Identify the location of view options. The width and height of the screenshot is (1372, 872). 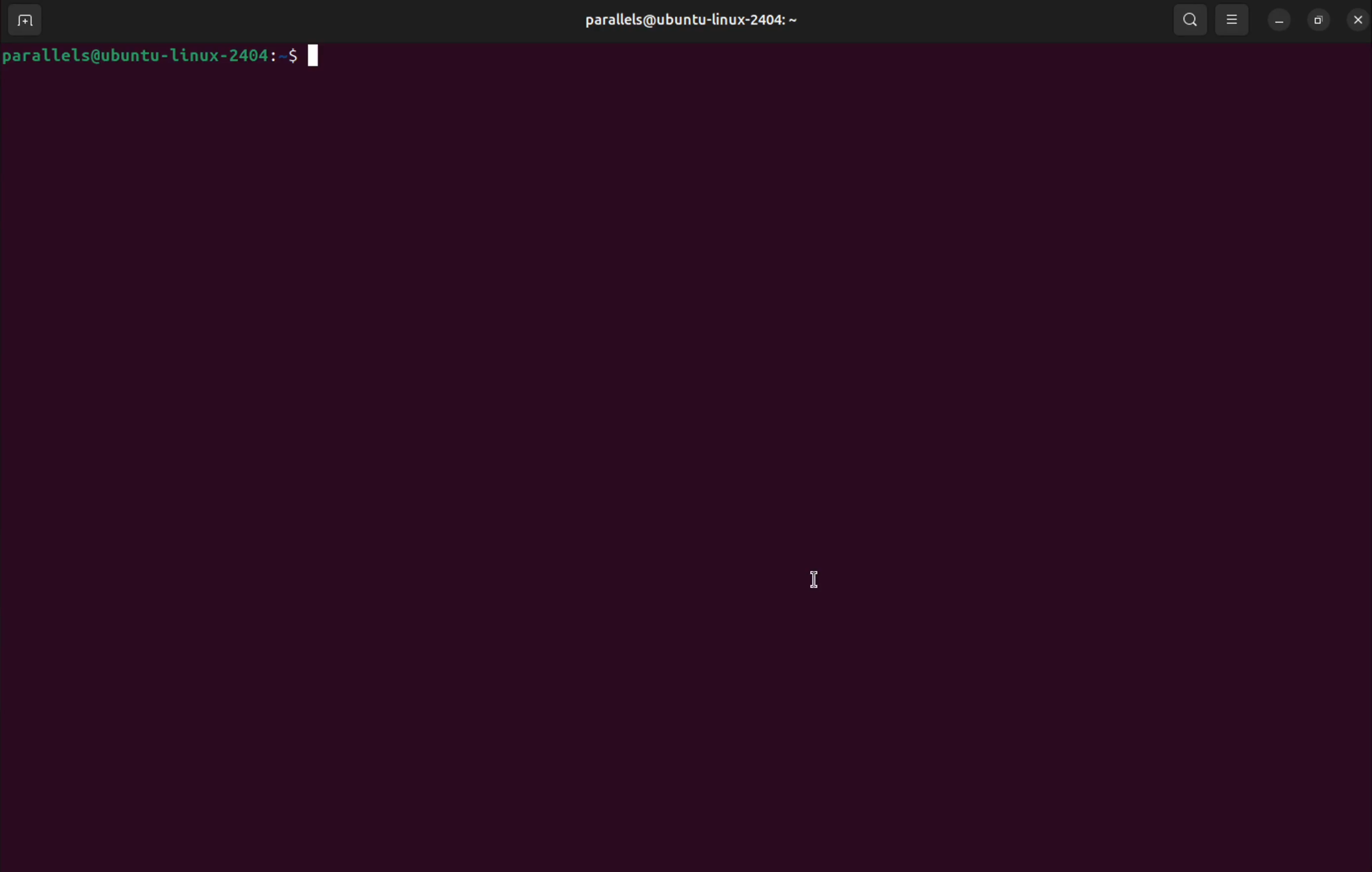
(1234, 19).